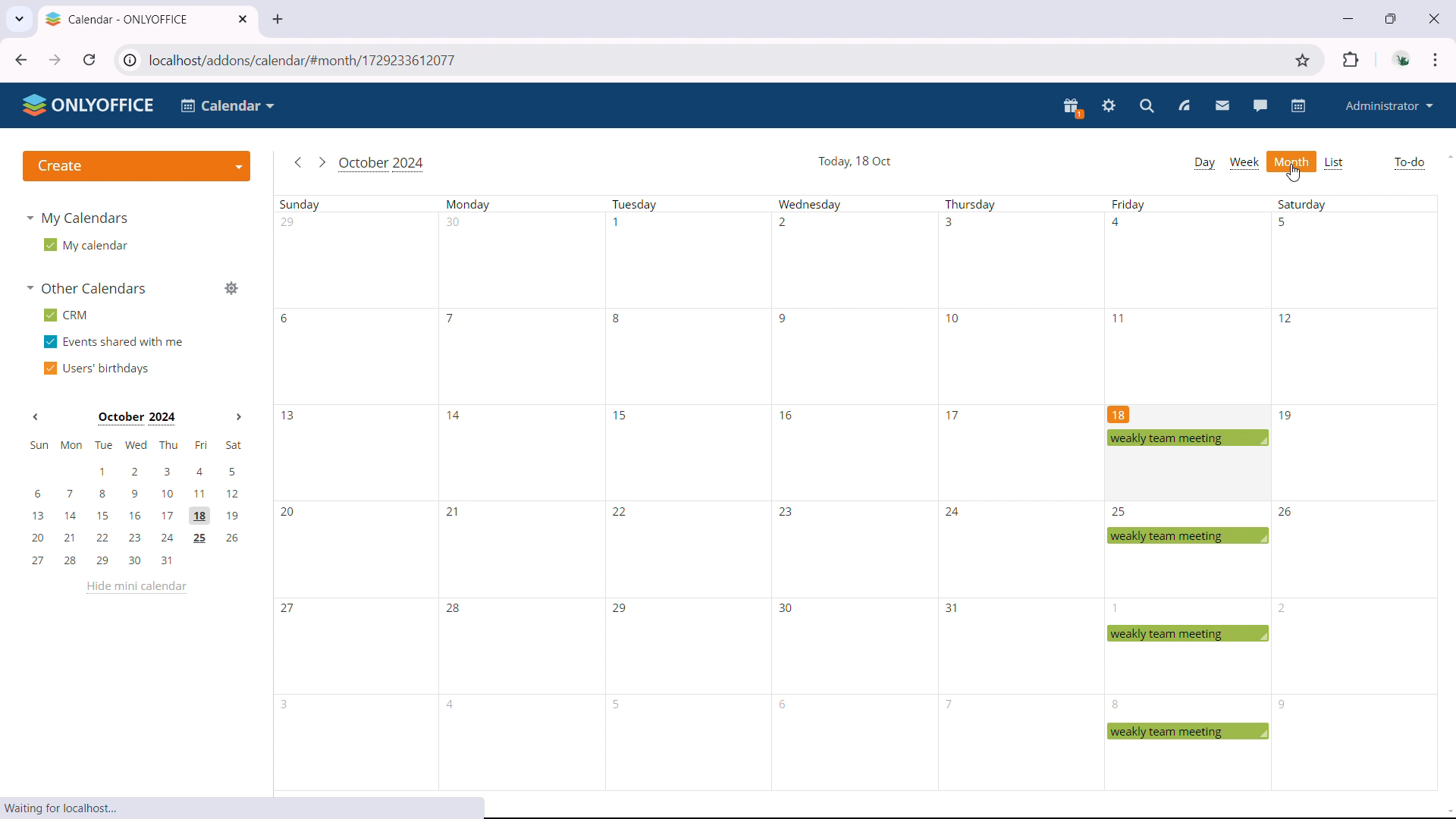  Describe the element at coordinates (1303, 60) in the screenshot. I see `bookmark this tab` at that location.